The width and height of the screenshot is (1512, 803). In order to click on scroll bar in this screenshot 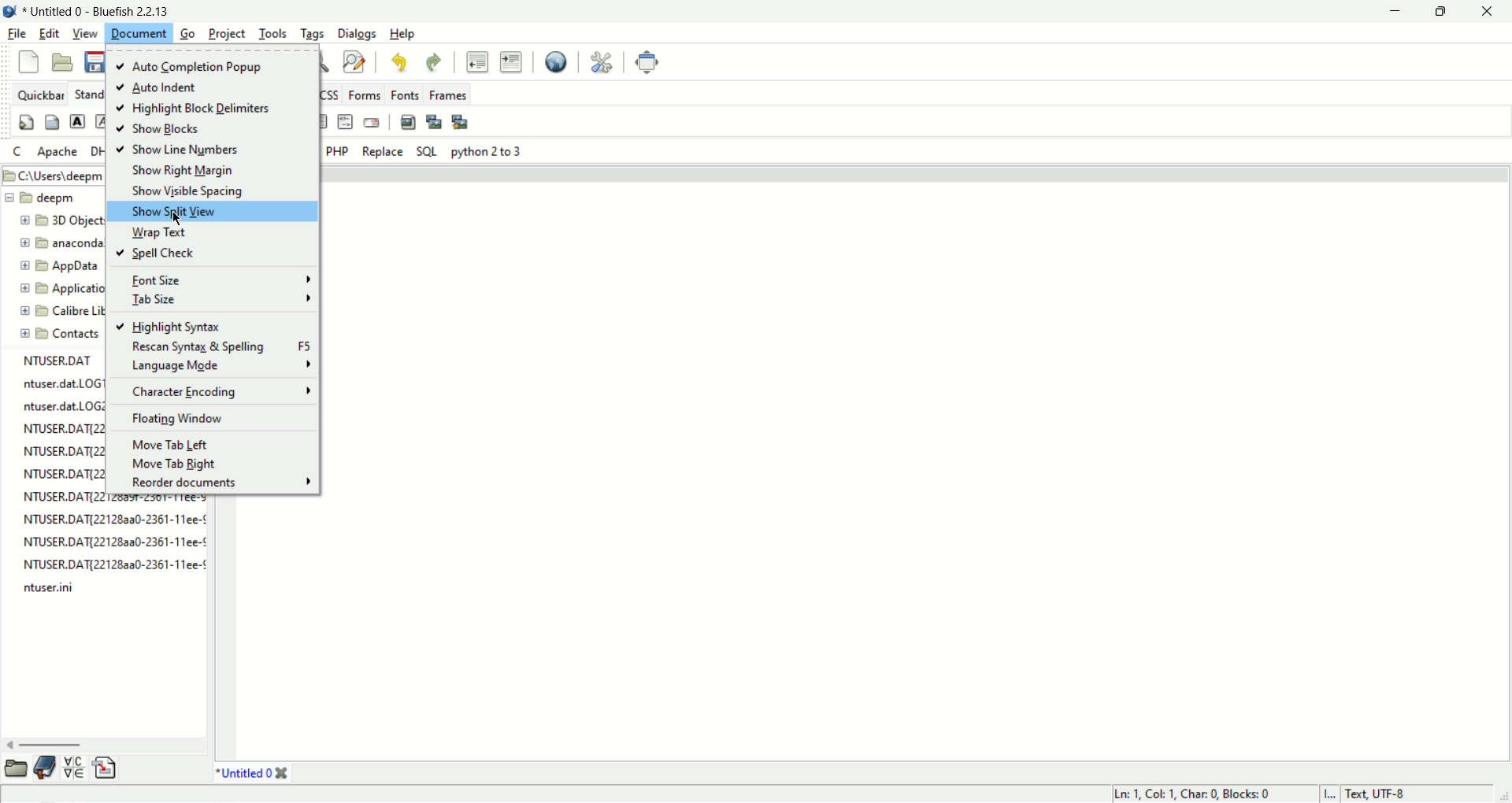, I will do `click(96, 746)`.